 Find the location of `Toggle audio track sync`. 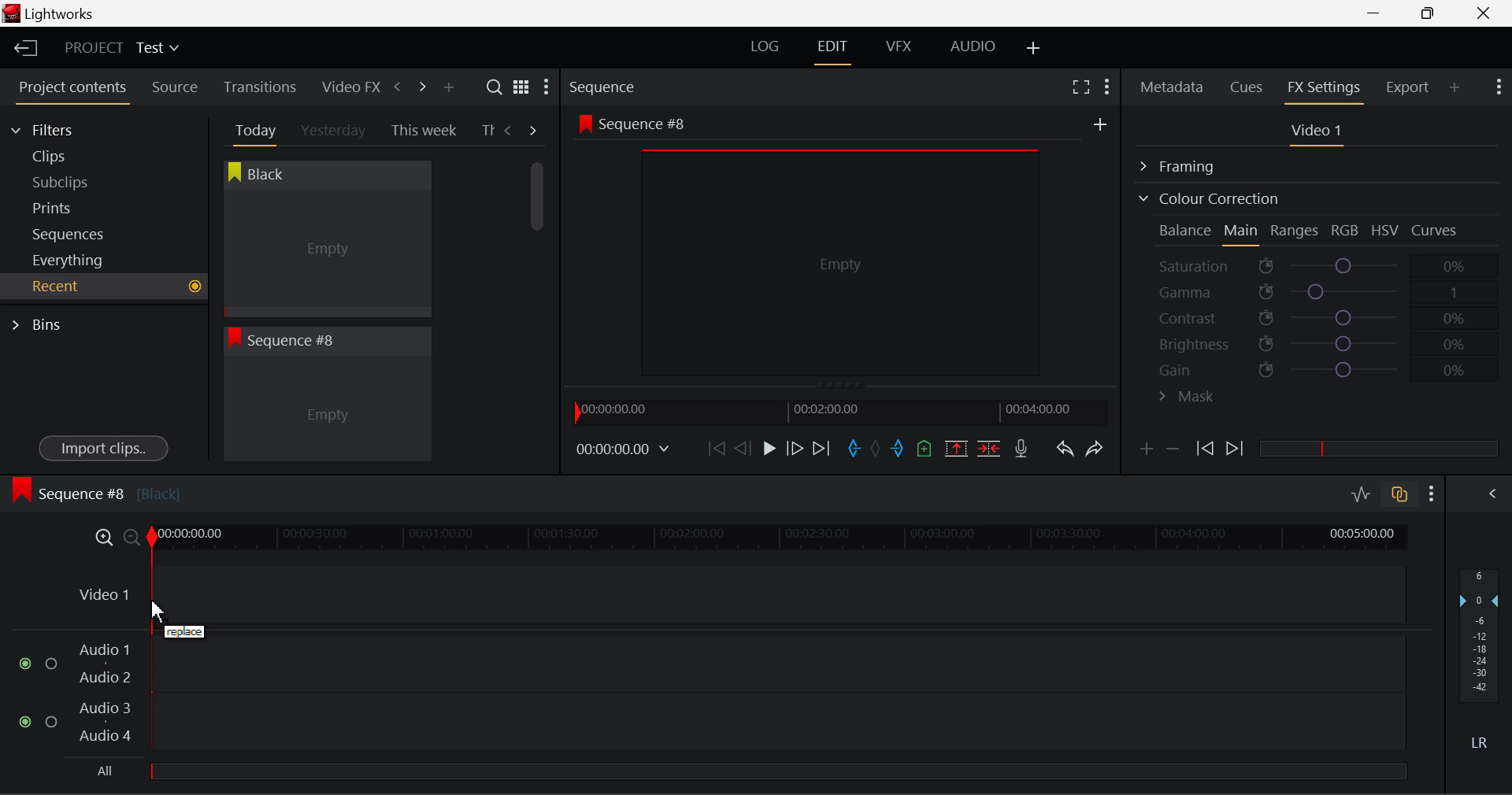

Toggle audio track sync is located at coordinates (1400, 493).